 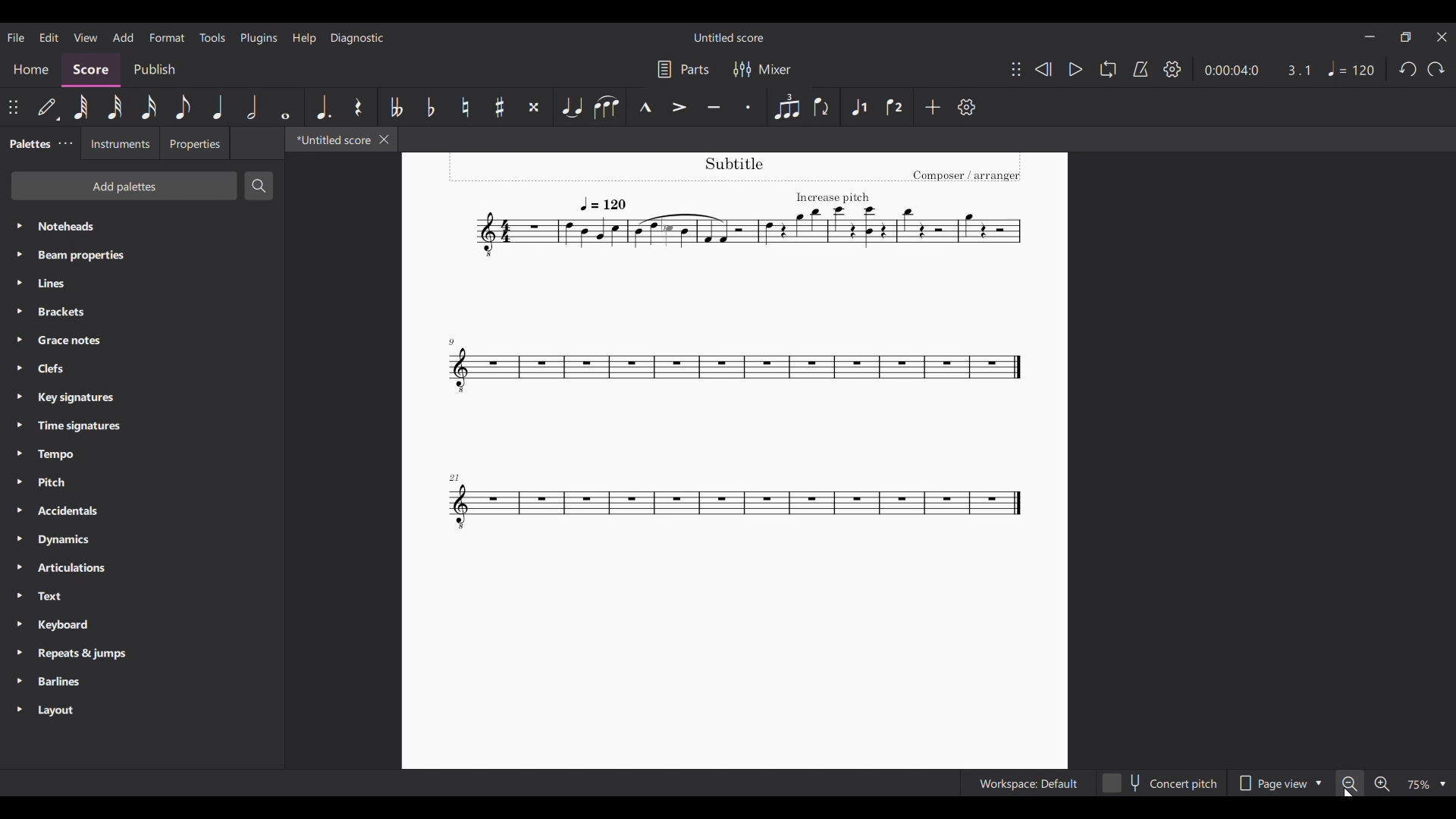 What do you see at coordinates (466, 107) in the screenshot?
I see `Toggle nnatural` at bounding box center [466, 107].